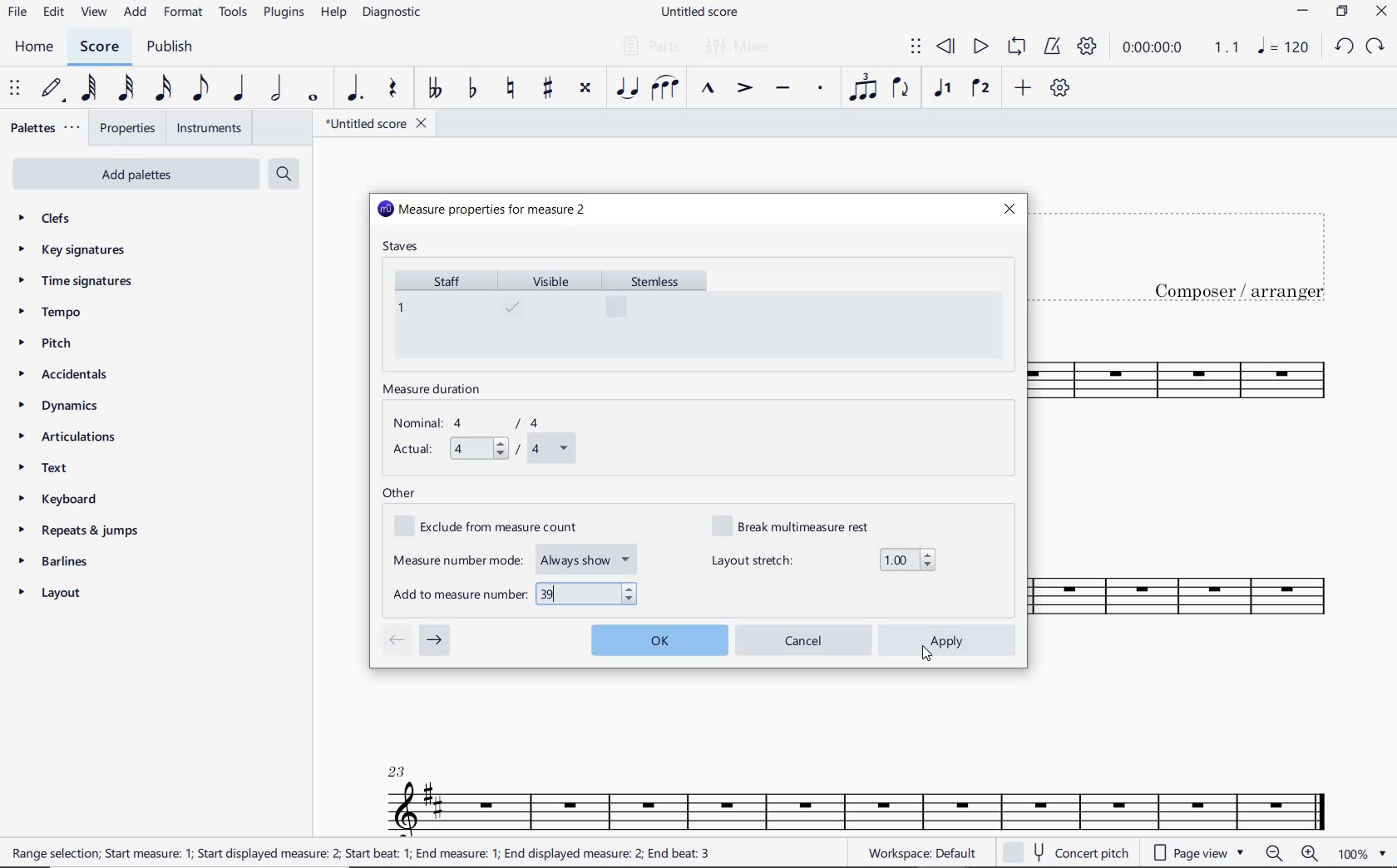 This screenshot has width=1397, height=868. What do you see at coordinates (659, 638) in the screenshot?
I see `ok` at bounding box center [659, 638].